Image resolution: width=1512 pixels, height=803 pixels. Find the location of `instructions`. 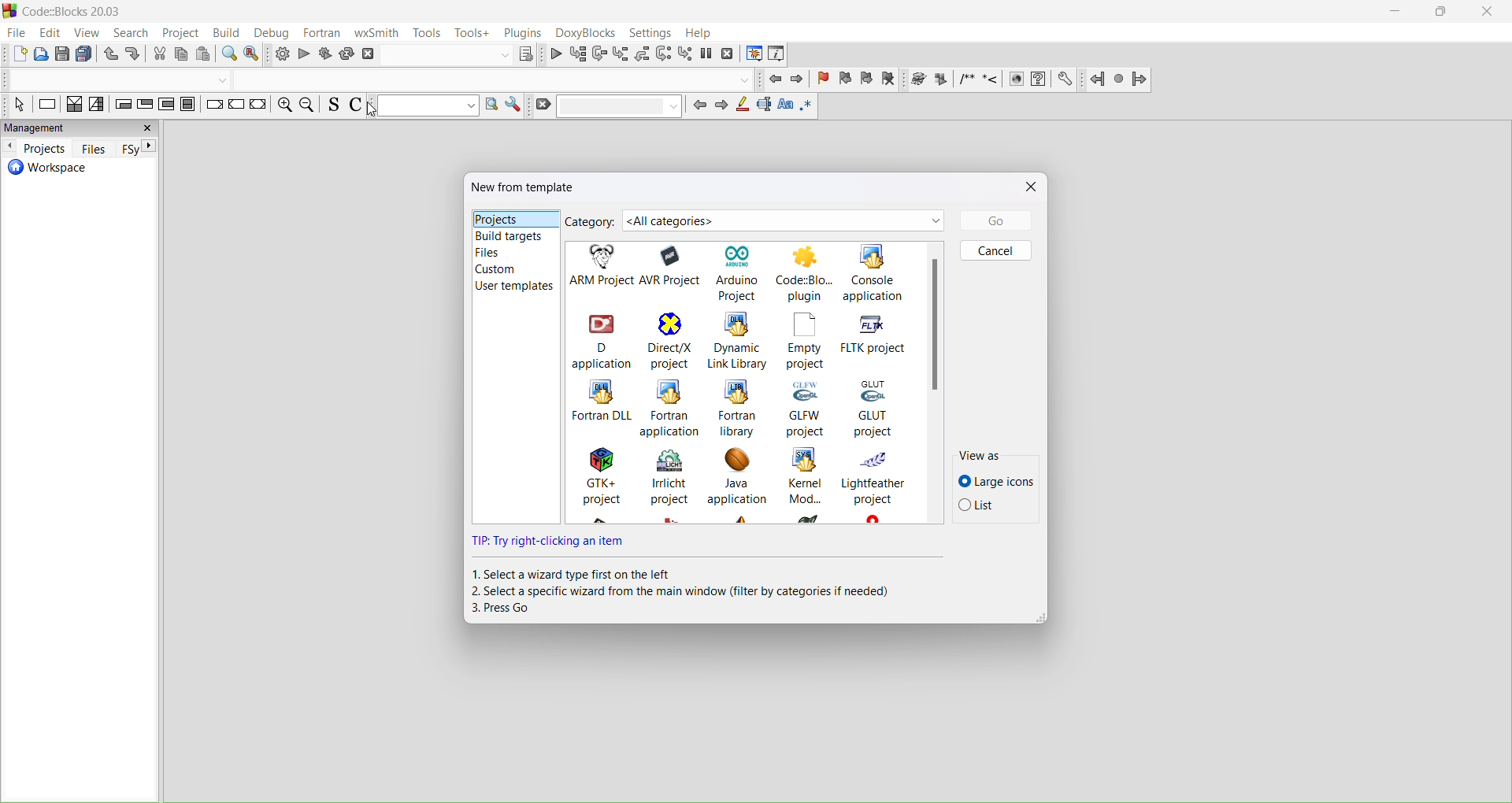

instructions is located at coordinates (47, 105).